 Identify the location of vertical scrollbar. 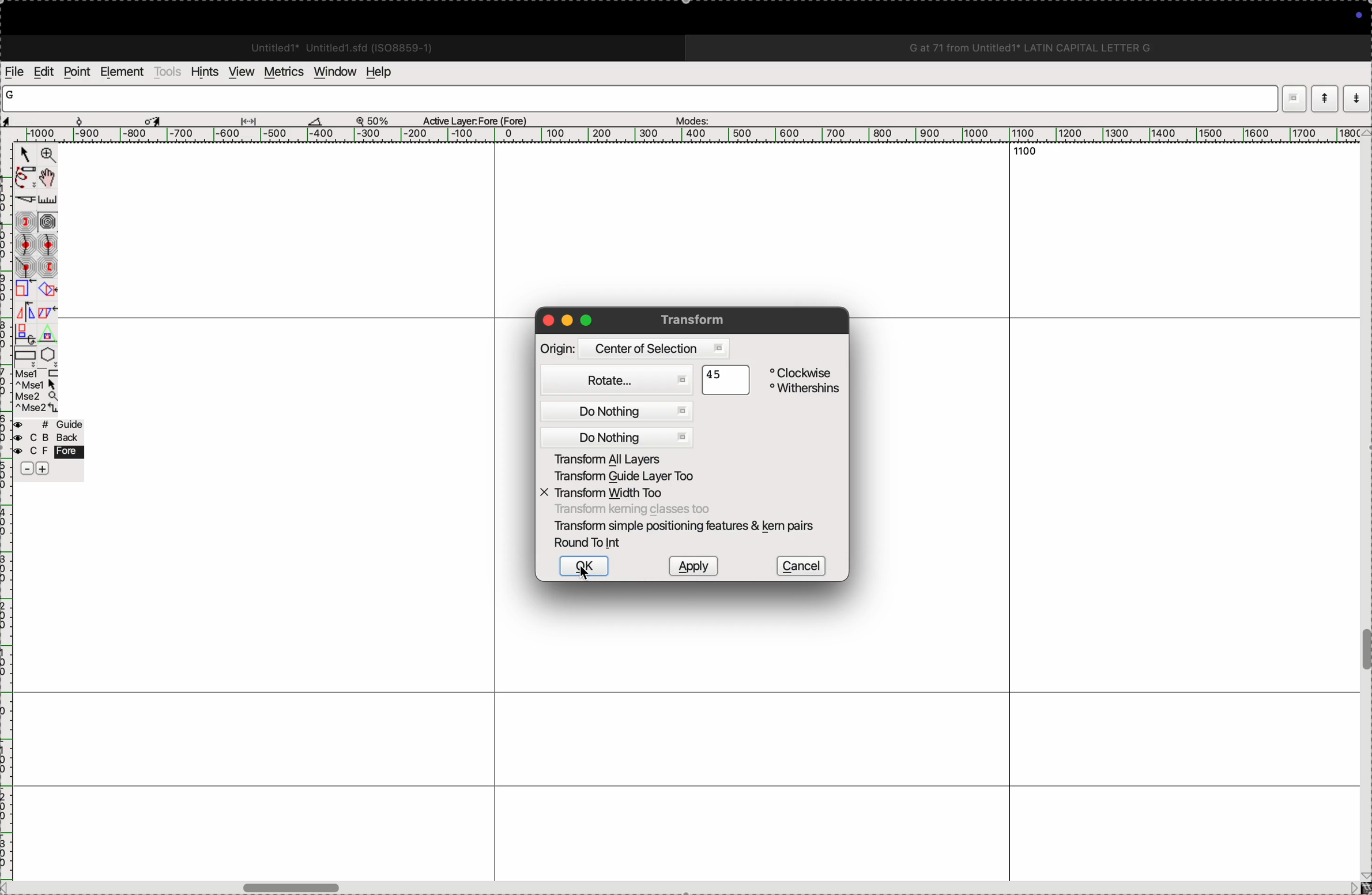
(1363, 516).